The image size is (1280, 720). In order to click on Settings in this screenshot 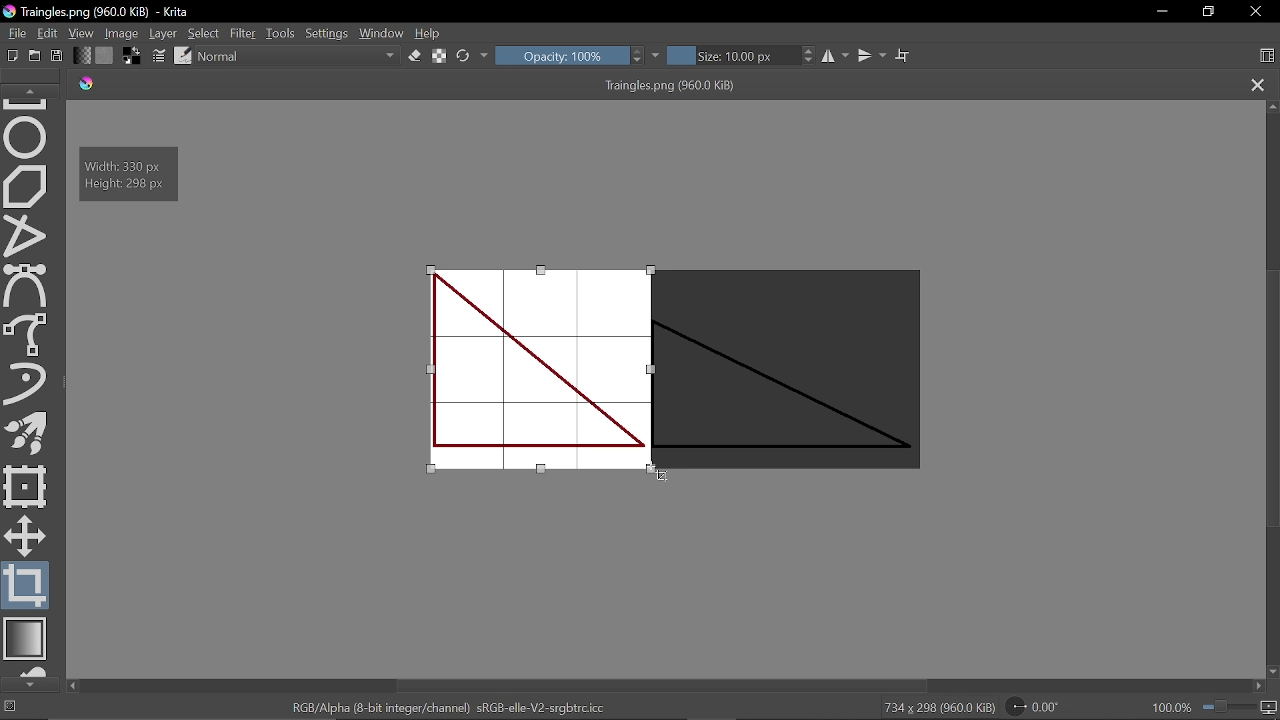, I will do `click(327, 34)`.